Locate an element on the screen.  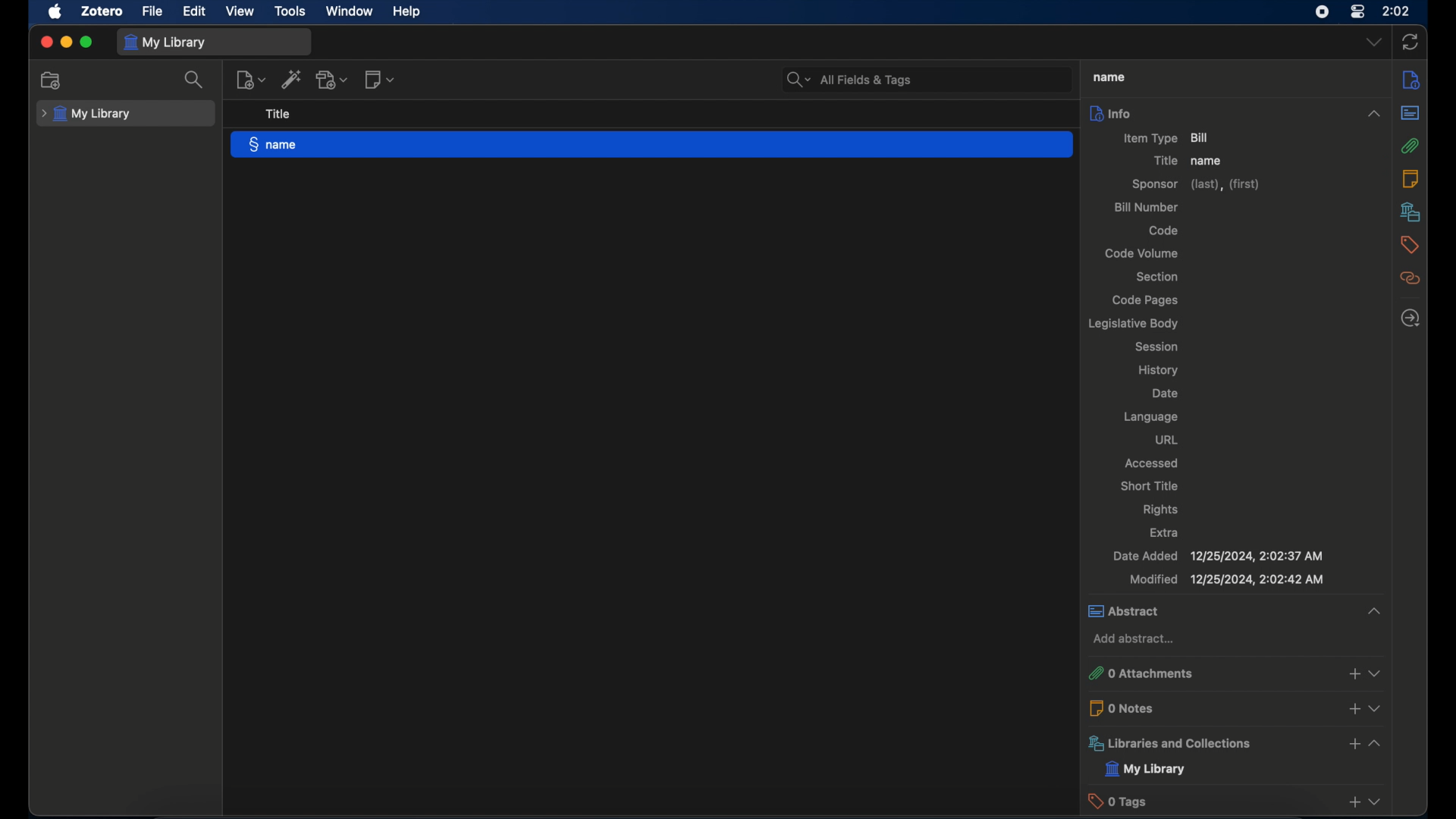
zotero is located at coordinates (100, 12).